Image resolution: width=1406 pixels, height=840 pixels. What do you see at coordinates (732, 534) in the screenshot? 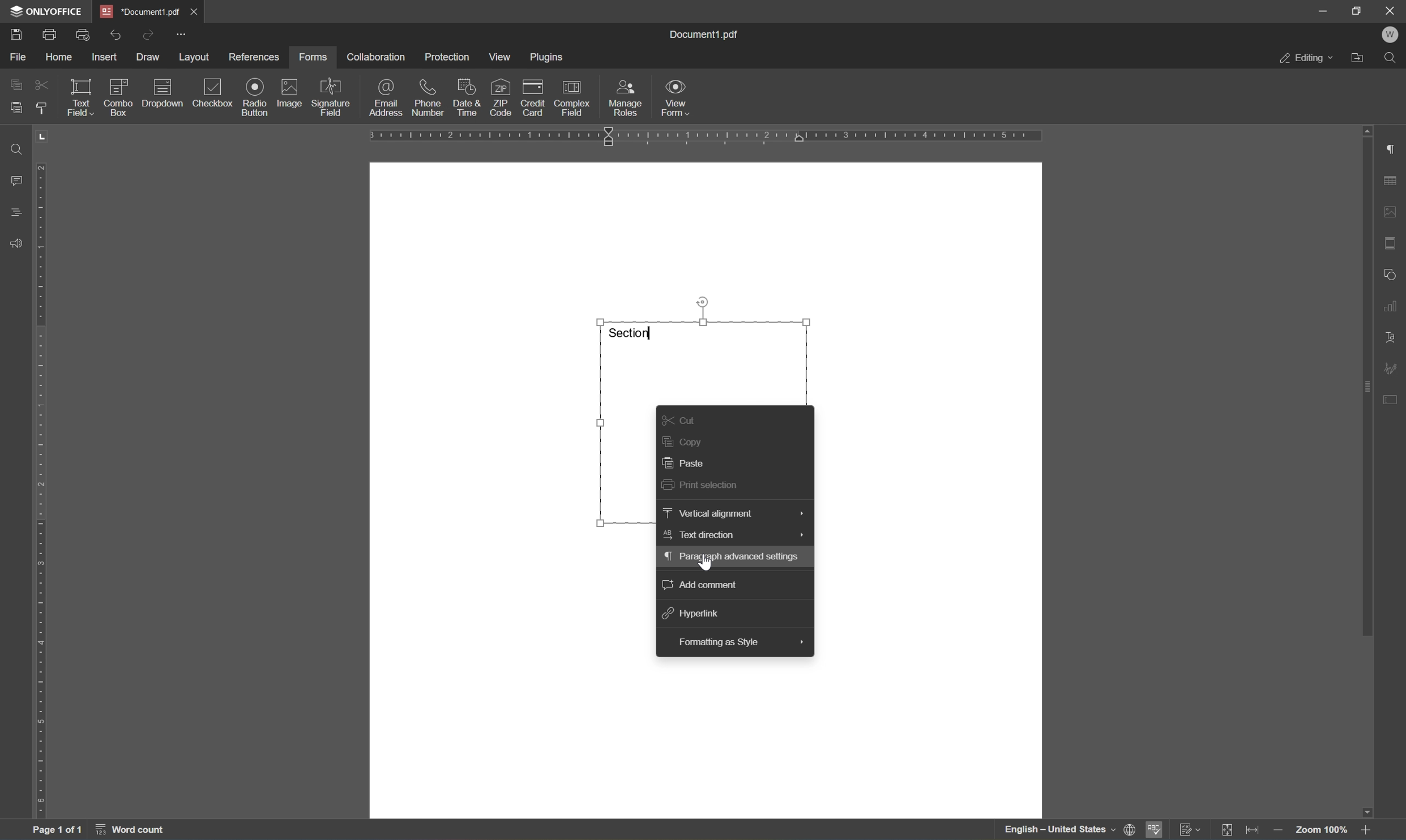
I see `text direction` at bounding box center [732, 534].